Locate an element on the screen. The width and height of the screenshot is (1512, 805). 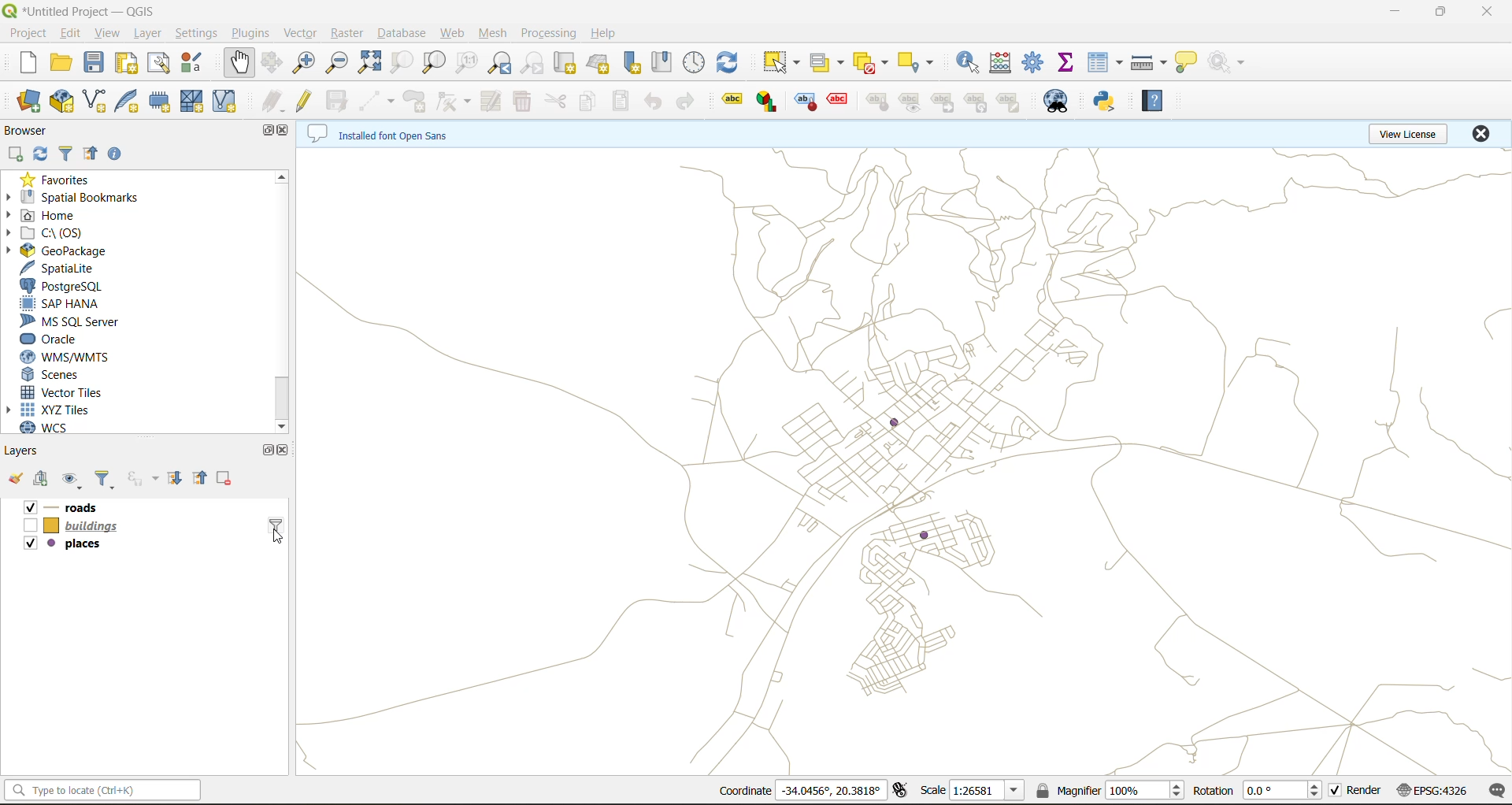
select location is located at coordinates (917, 63).